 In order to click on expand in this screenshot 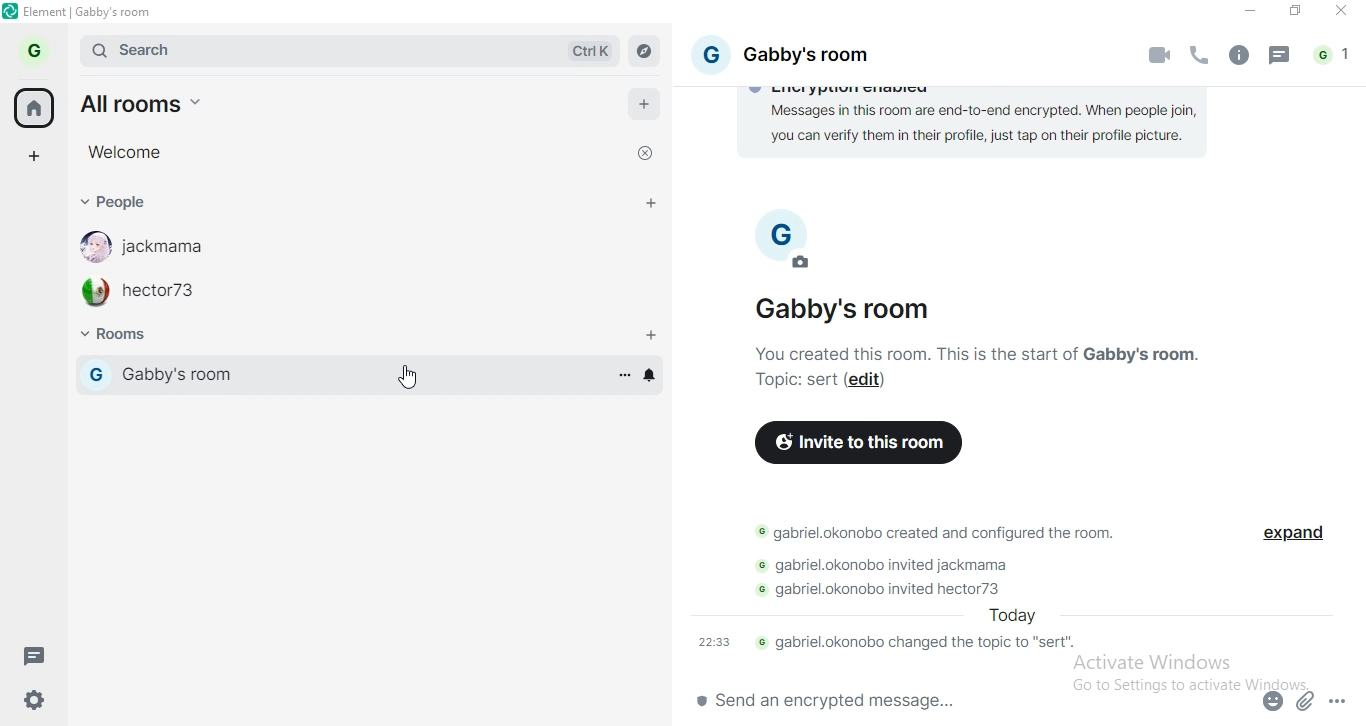, I will do `click(1290, 536)`.